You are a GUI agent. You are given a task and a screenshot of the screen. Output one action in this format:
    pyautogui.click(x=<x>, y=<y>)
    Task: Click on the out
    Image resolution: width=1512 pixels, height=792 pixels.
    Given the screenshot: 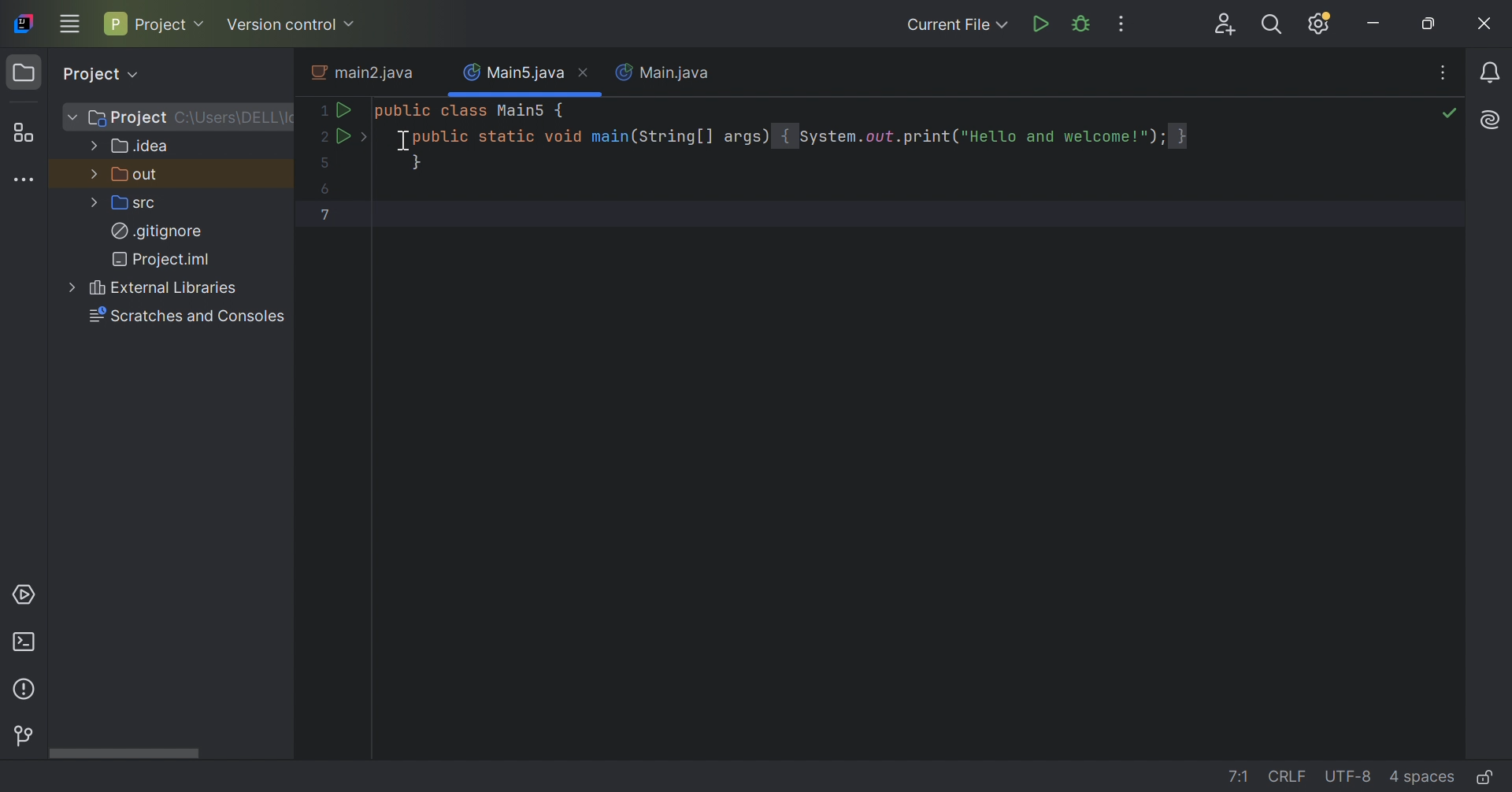 What is the action you would take?
    pyautogui.click(x=137, y=174)
    